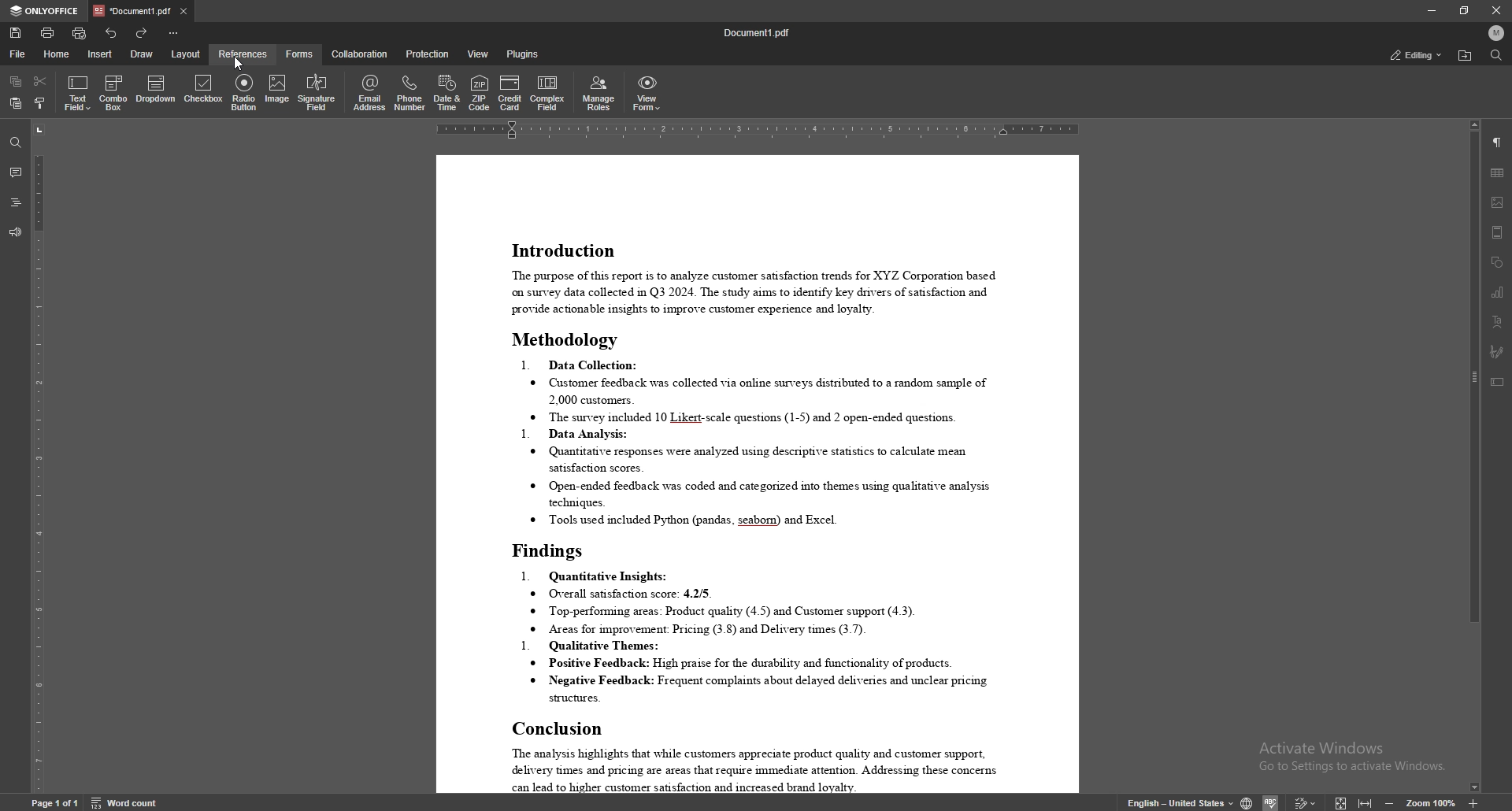 The image size is (1512, 811). What do you see at coordinates (80, 32) in the screenshot?
I see `quick print` at bounding box center [80, 32].